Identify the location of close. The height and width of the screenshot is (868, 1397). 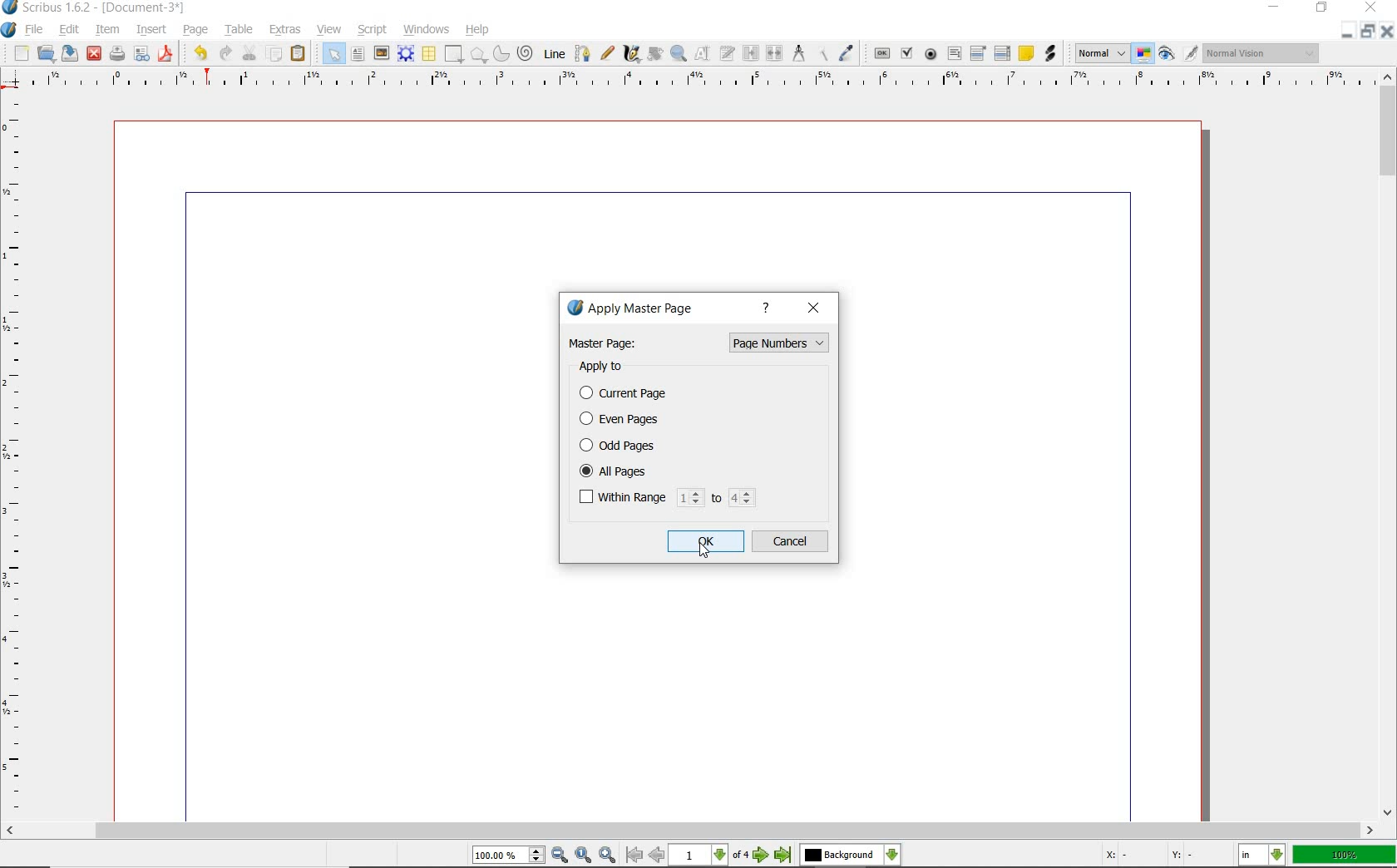
(95, 53).